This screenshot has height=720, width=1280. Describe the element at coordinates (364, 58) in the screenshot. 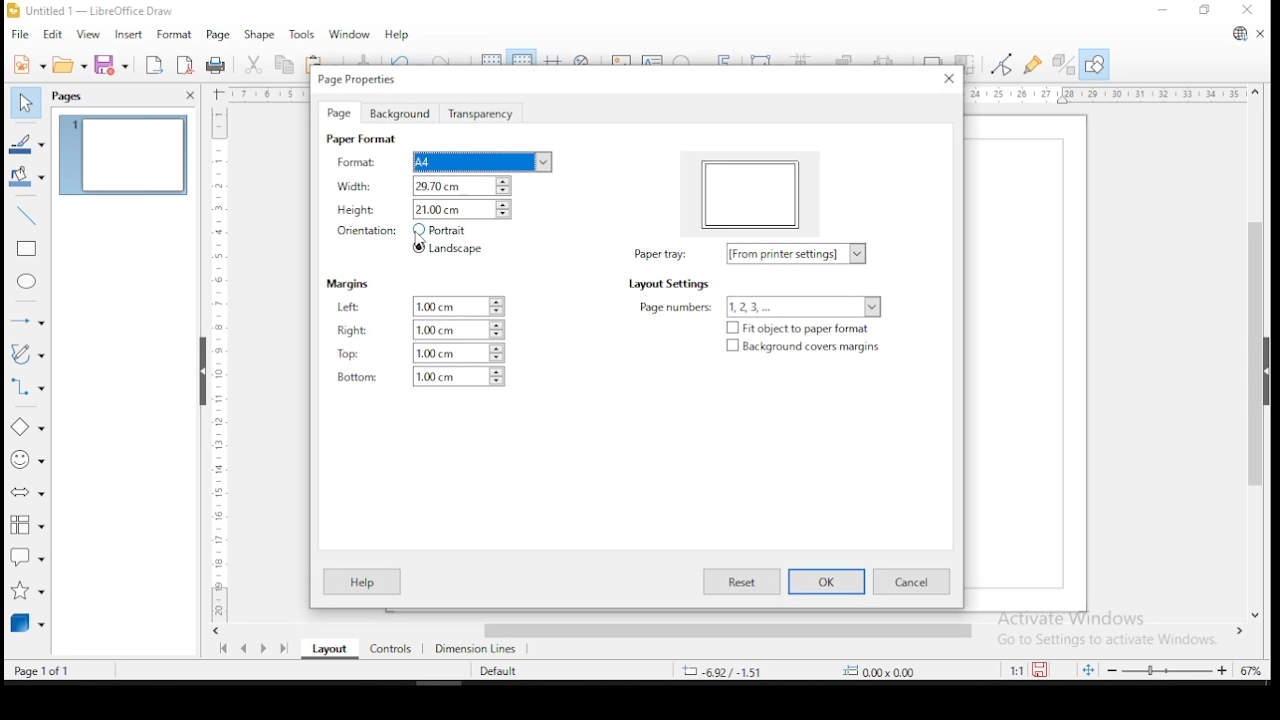

I see `clone formatting` at that location.